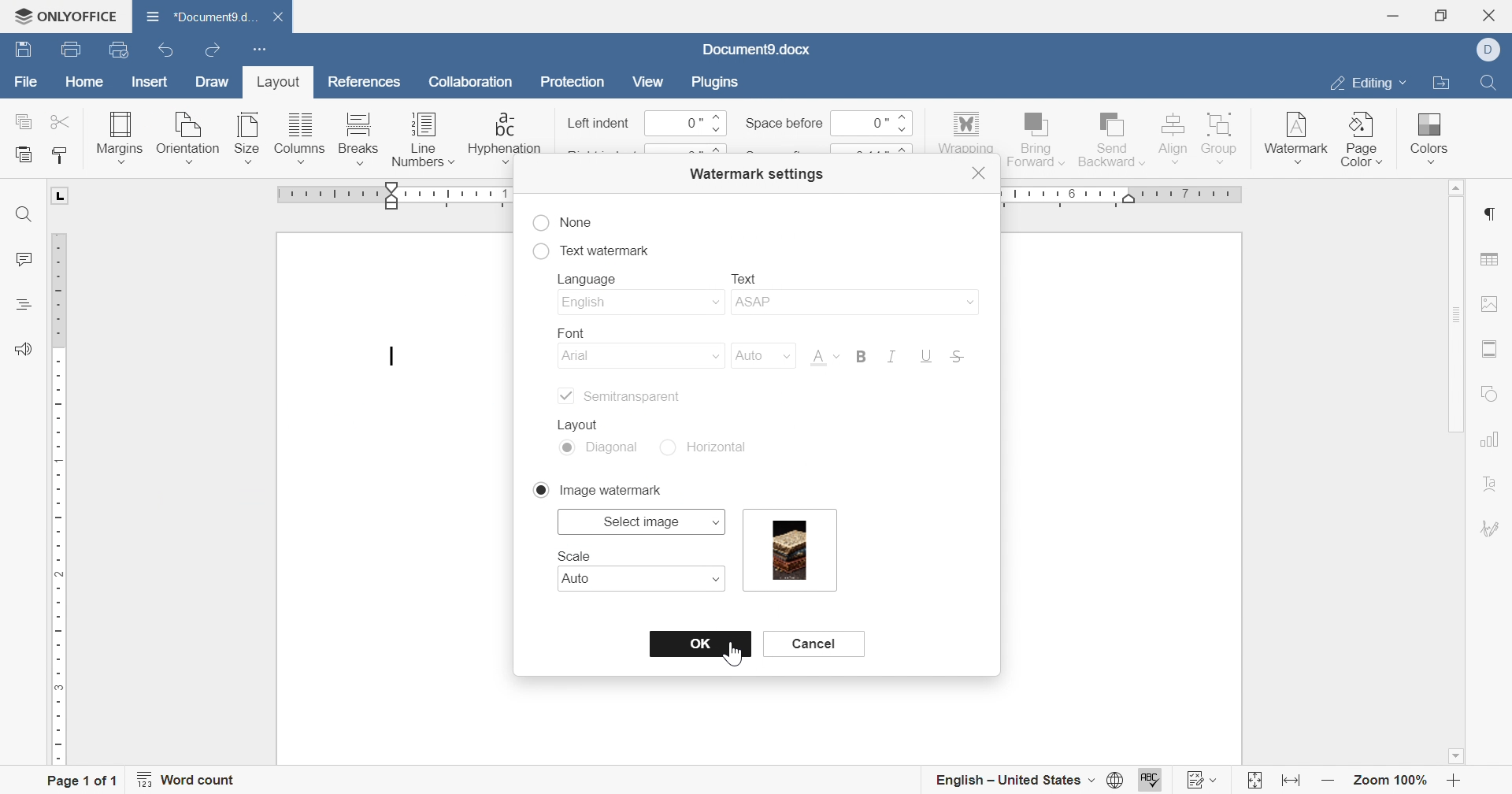 This screenshot has width=1512, height=794. Describe the element at coordinates (853, 305) in the screenshot. I see `asap` at that location.